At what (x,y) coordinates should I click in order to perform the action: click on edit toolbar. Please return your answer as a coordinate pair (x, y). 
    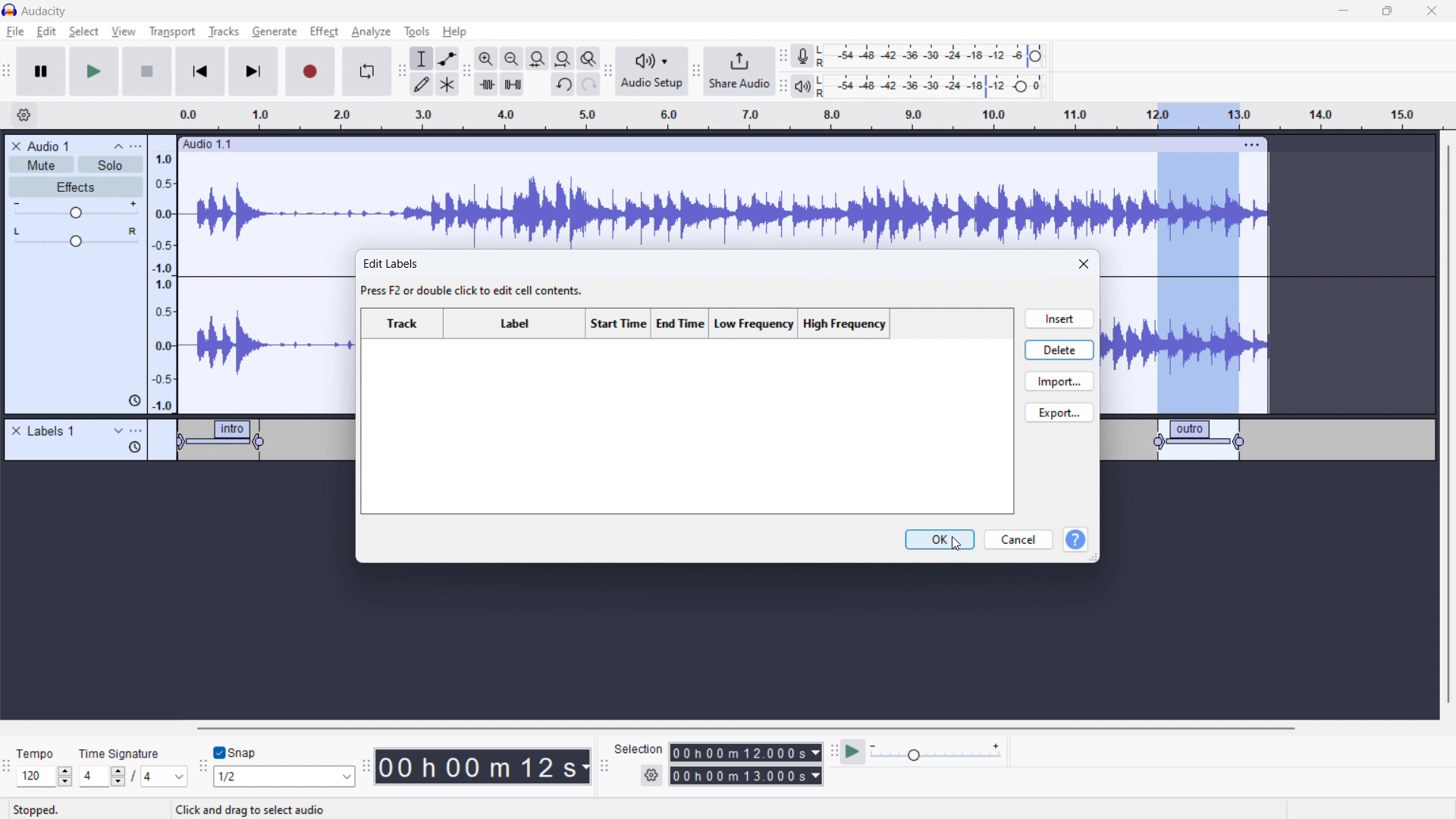
    Looking at the image, I should click on (466, 72).